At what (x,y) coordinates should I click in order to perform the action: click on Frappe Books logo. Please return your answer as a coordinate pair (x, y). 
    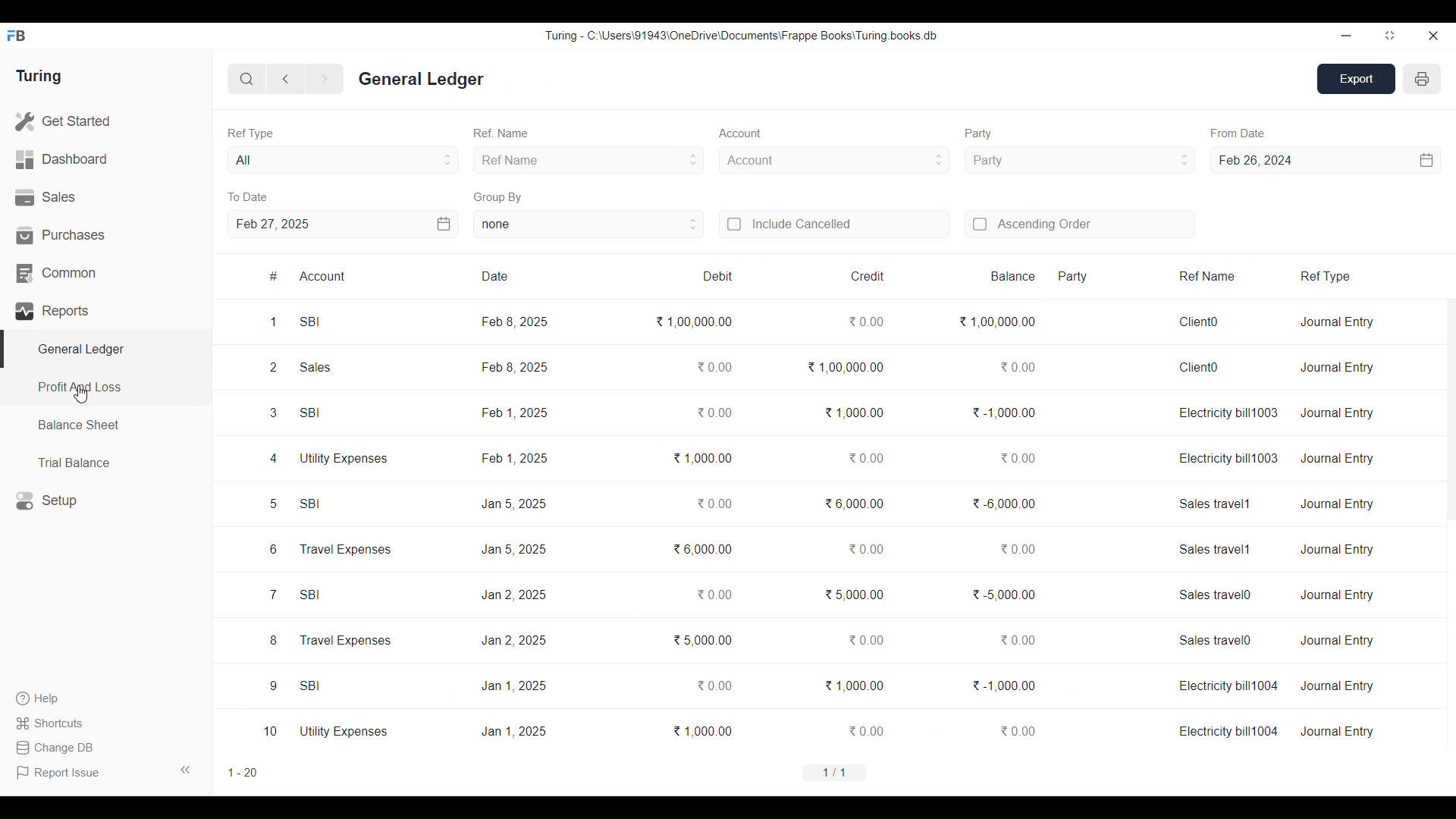
    Looking at the image, I should click on (16, 36).